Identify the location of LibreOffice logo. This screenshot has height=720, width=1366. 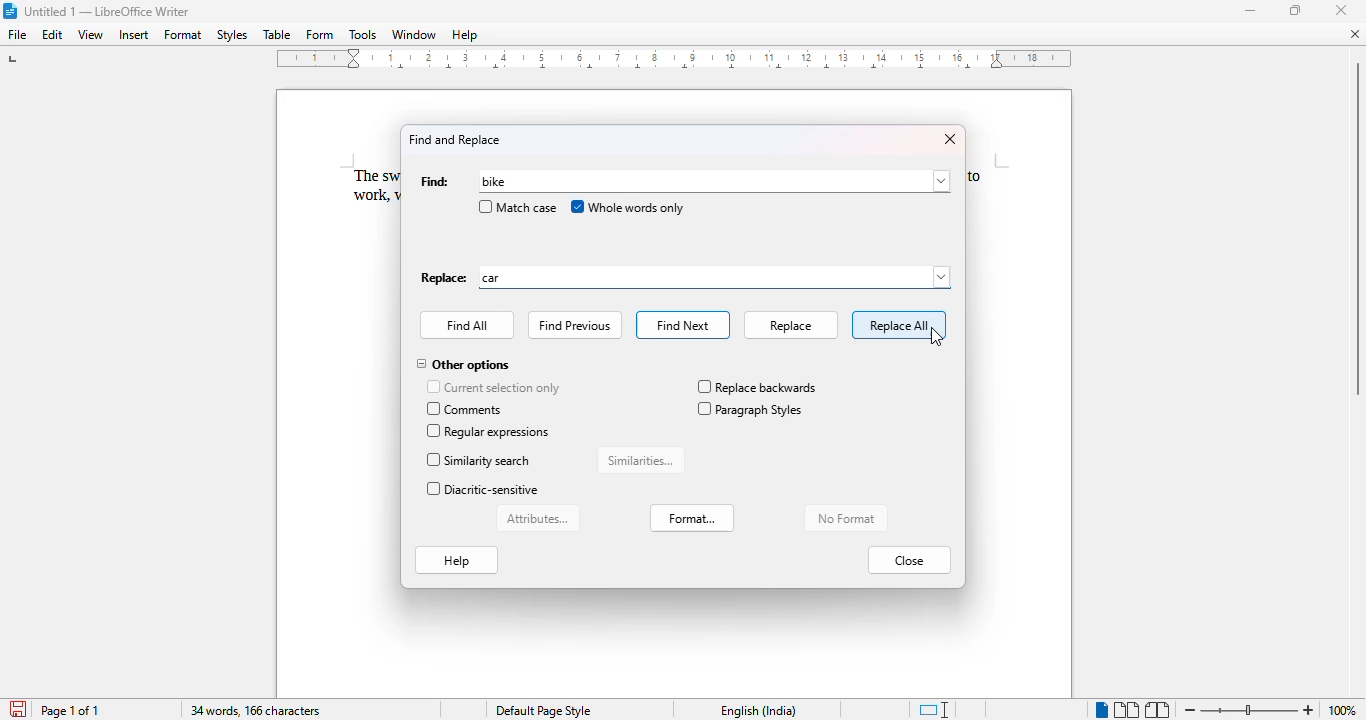
(9, 10).